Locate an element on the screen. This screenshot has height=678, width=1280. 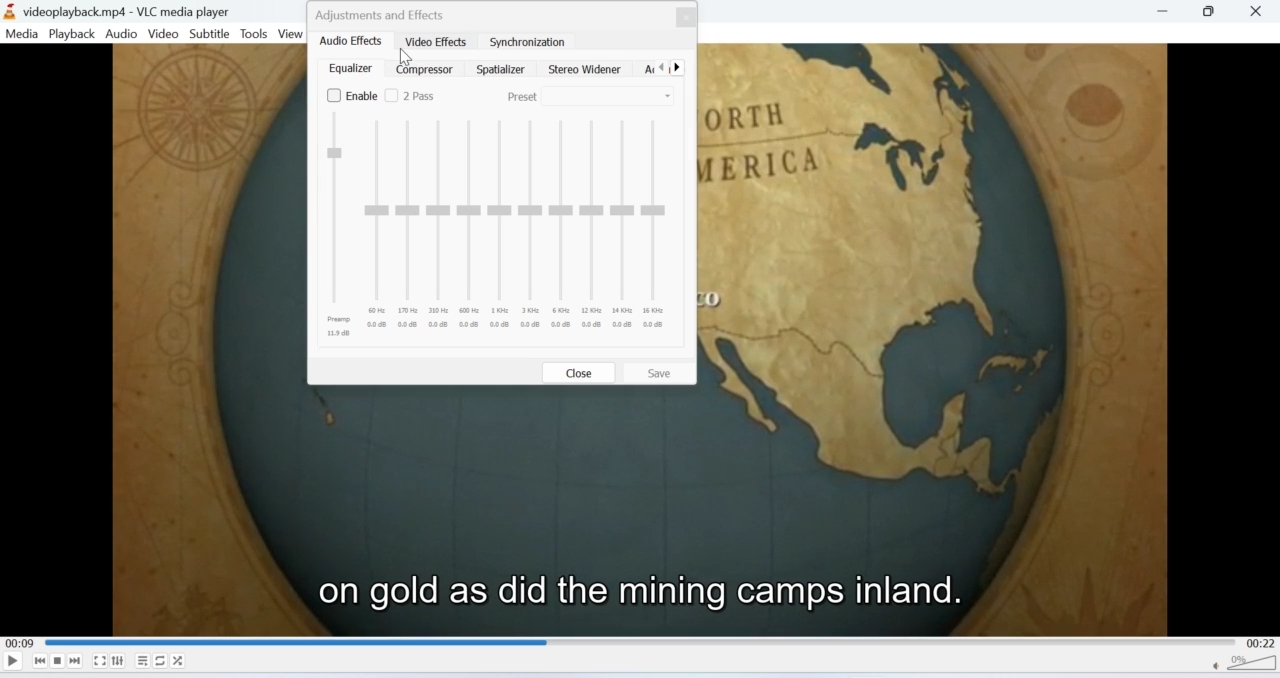
Tools is located at coordinates (254, 34).